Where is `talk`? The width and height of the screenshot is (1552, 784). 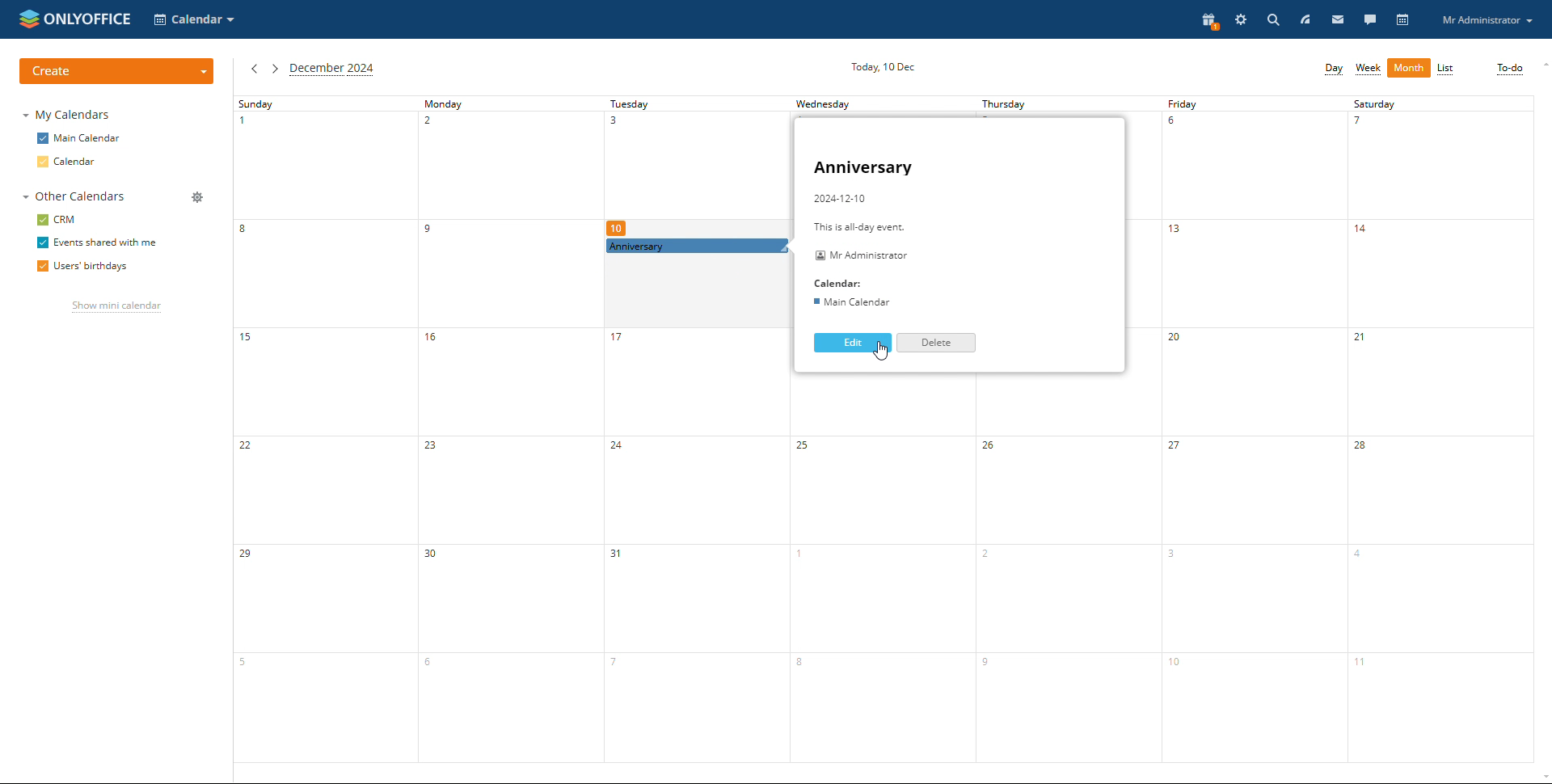
talk is located at coordinates (1369, 19).